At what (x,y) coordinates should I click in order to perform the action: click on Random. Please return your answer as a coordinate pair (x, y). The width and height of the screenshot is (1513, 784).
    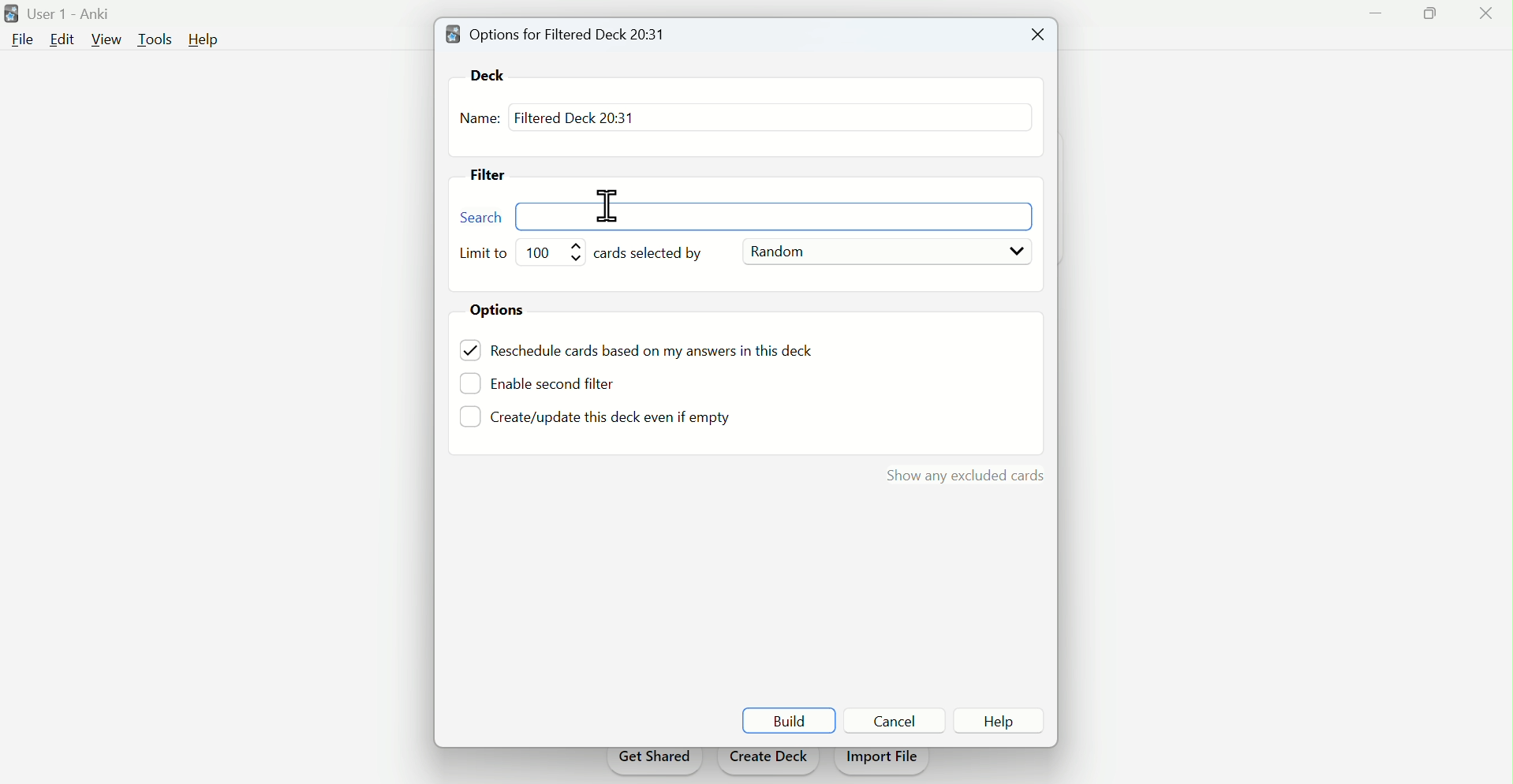
    Looking at the image, I should click on (886, 249).